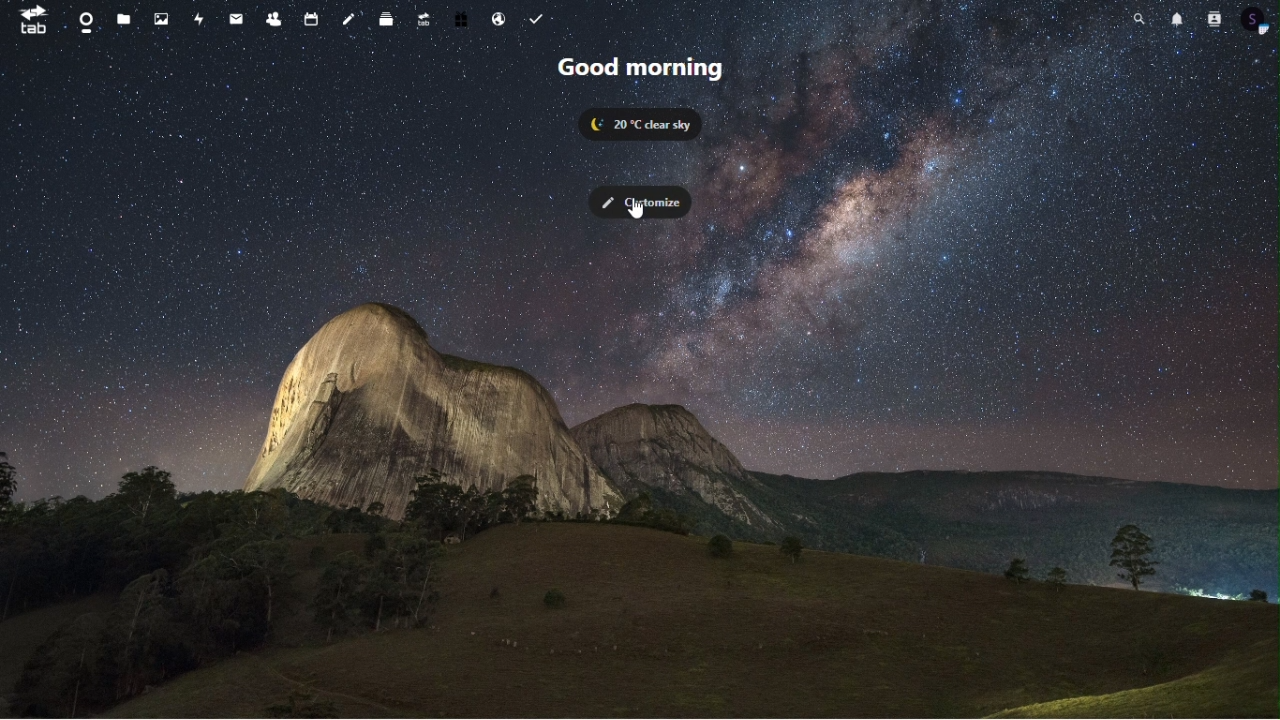 Image resolution: width=1280 pixels, height=720 pixels. Describe the element at coordinates (643, 204) in the screenshot. I see `customize` at that location.